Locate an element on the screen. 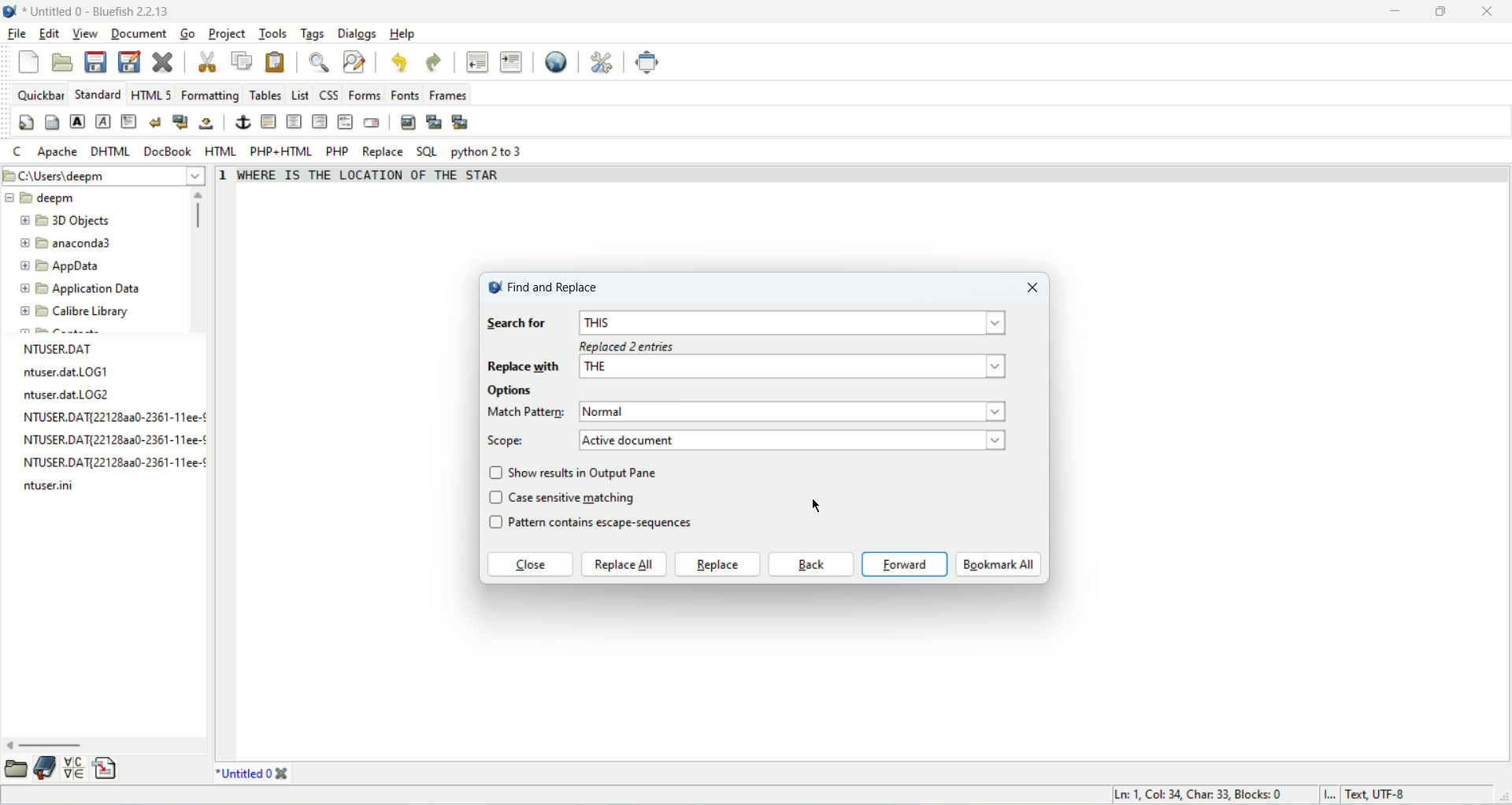  quickbar is located at coordinates (39, 95).